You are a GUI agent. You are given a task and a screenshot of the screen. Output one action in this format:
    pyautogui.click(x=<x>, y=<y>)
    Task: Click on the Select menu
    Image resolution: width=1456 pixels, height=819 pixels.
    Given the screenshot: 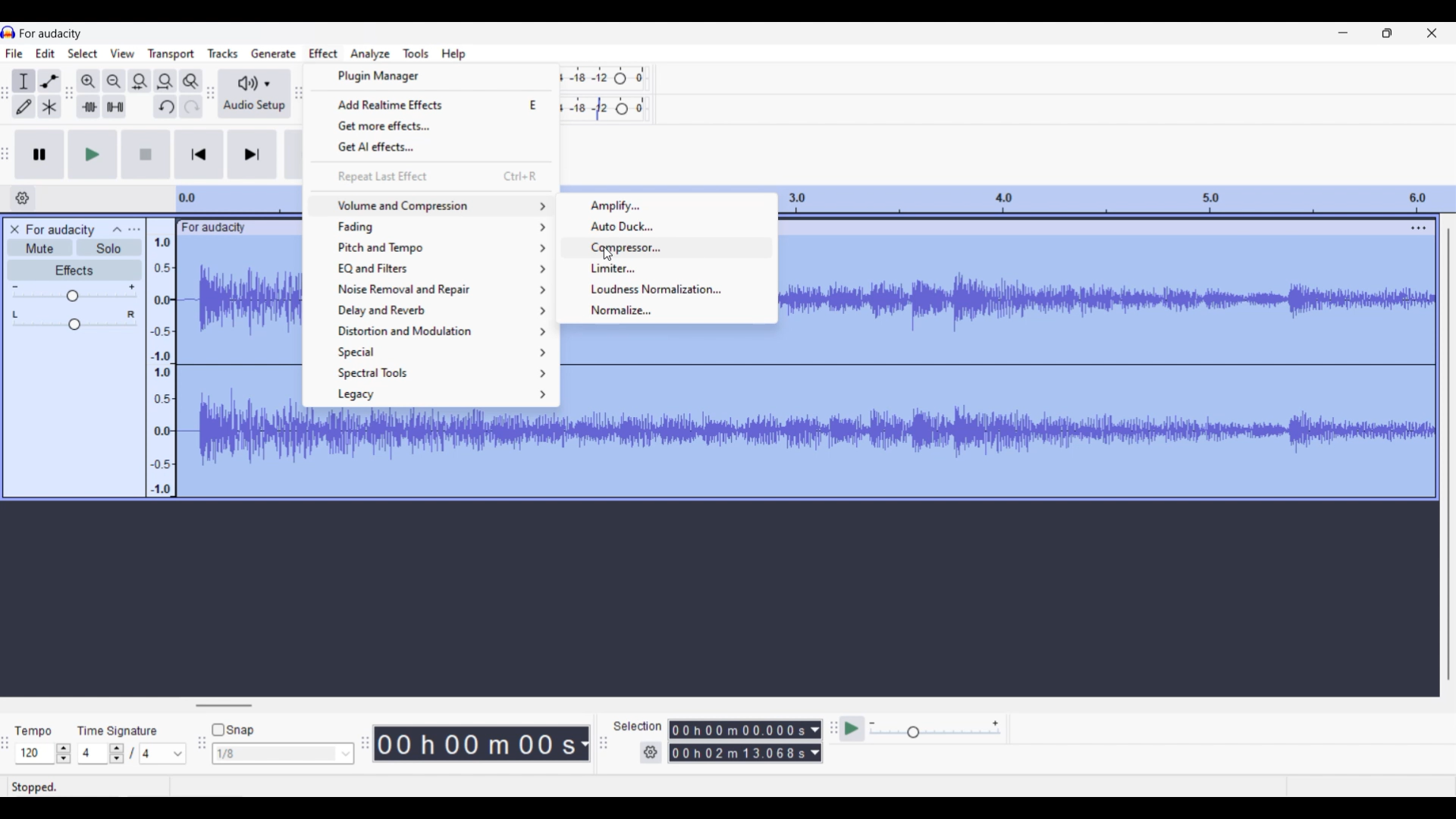 What is the action you would take?
    pyautogui.click(x=83, y=53)
    